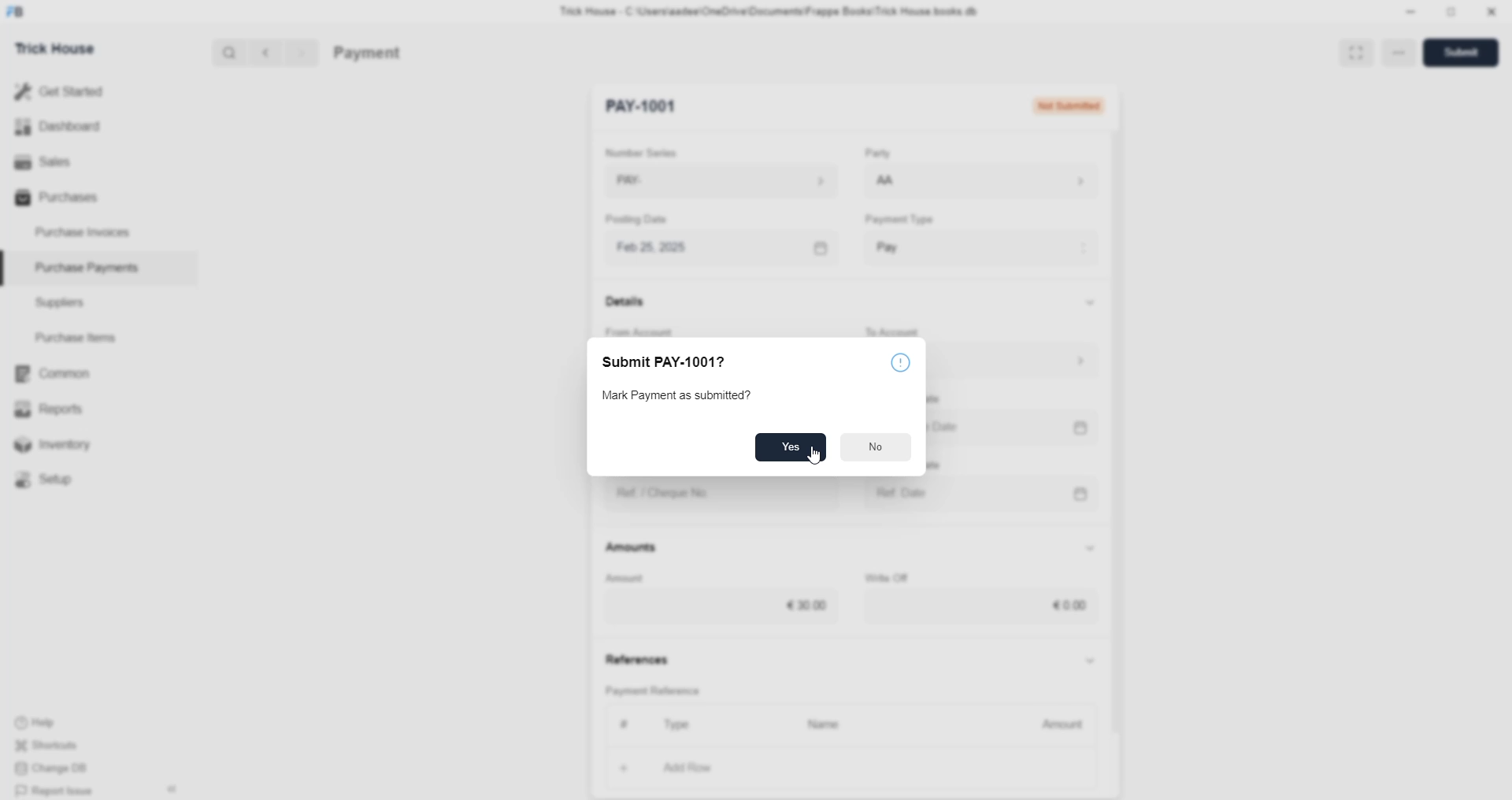 This screenshot has height=800, width=1512. What do you see at coordinates (814, 602) in the screenshot?
I see `€30.00` at bounding box center [814, 602].